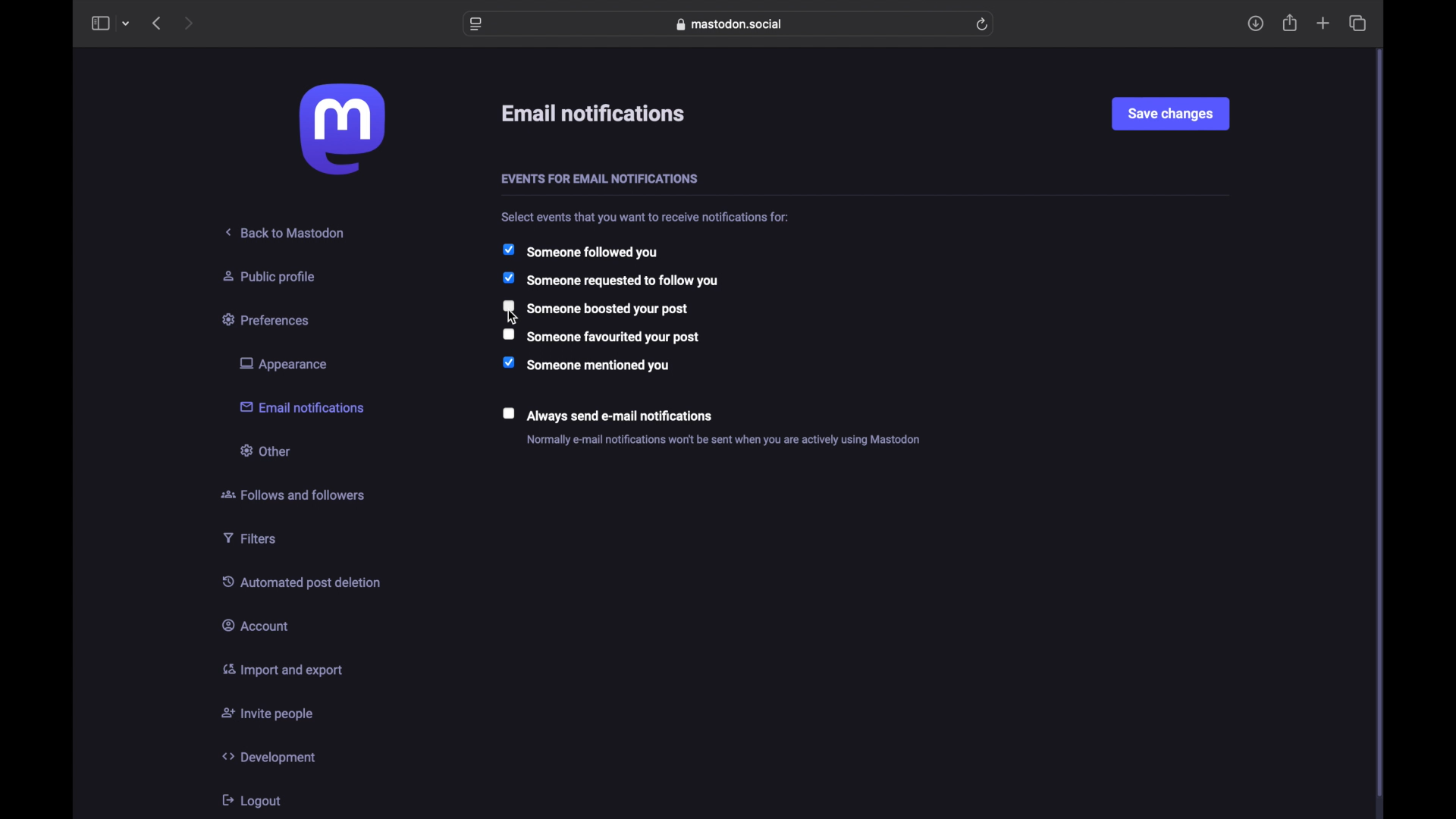 The image size is (1456, 819). Describe the element at coordinates (268, 318) in the screenshot. I see `preferences` at that location.